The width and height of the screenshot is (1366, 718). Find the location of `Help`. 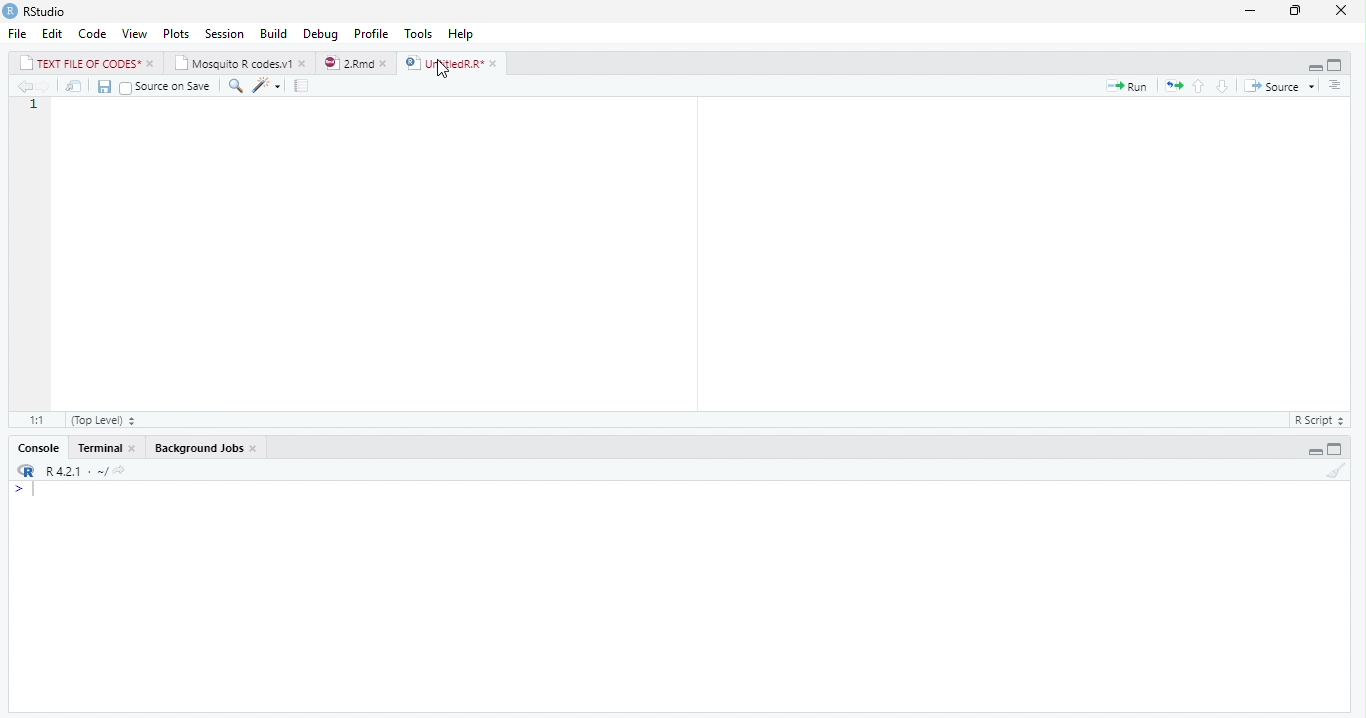

Help is located at coordinates (465, 34).